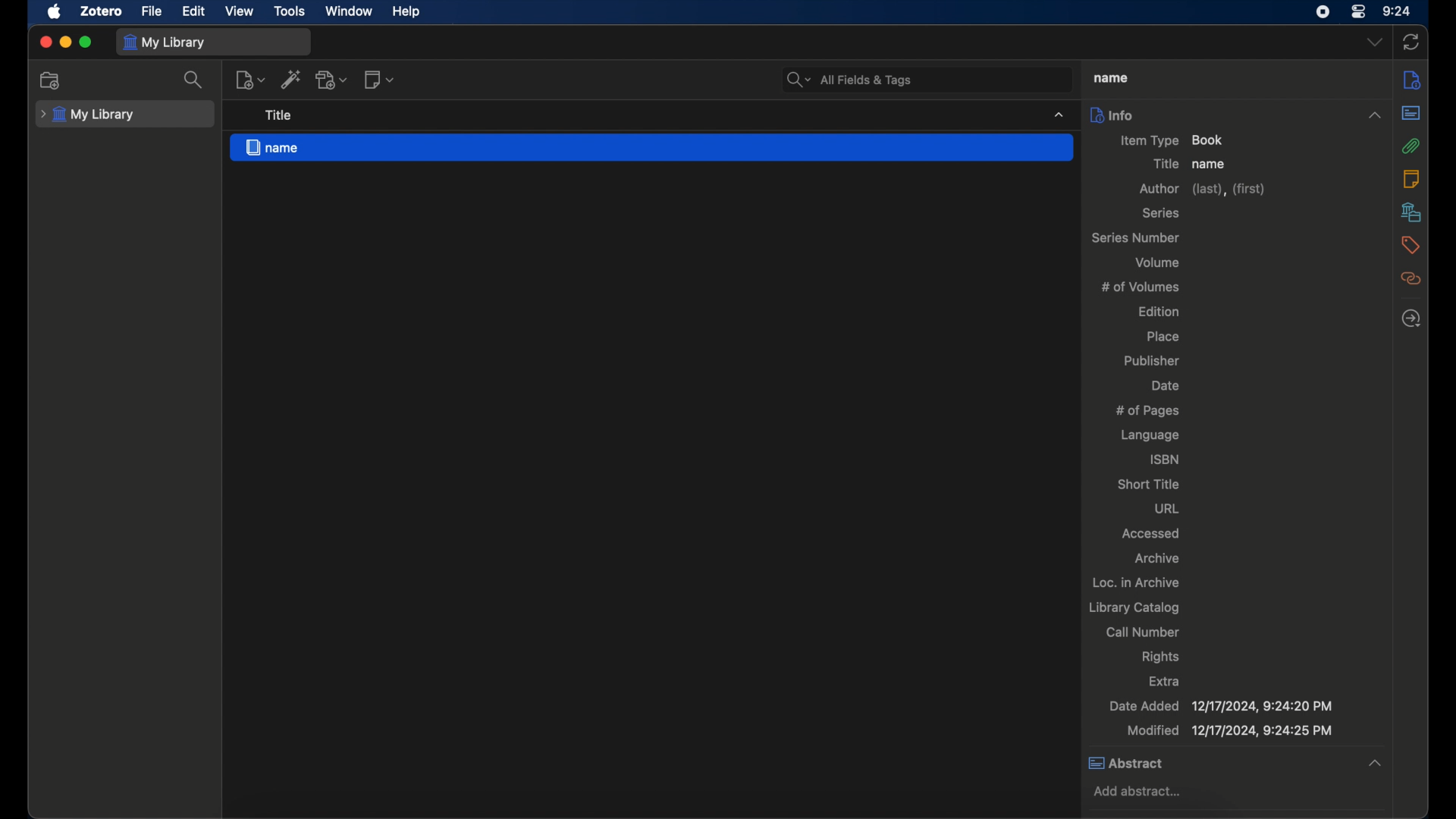 This screenshot has height=819, width=1456. What do you see at coordinates (1161, 212) in the screenshot?
I see `series` at bounding box center [1161, 212].